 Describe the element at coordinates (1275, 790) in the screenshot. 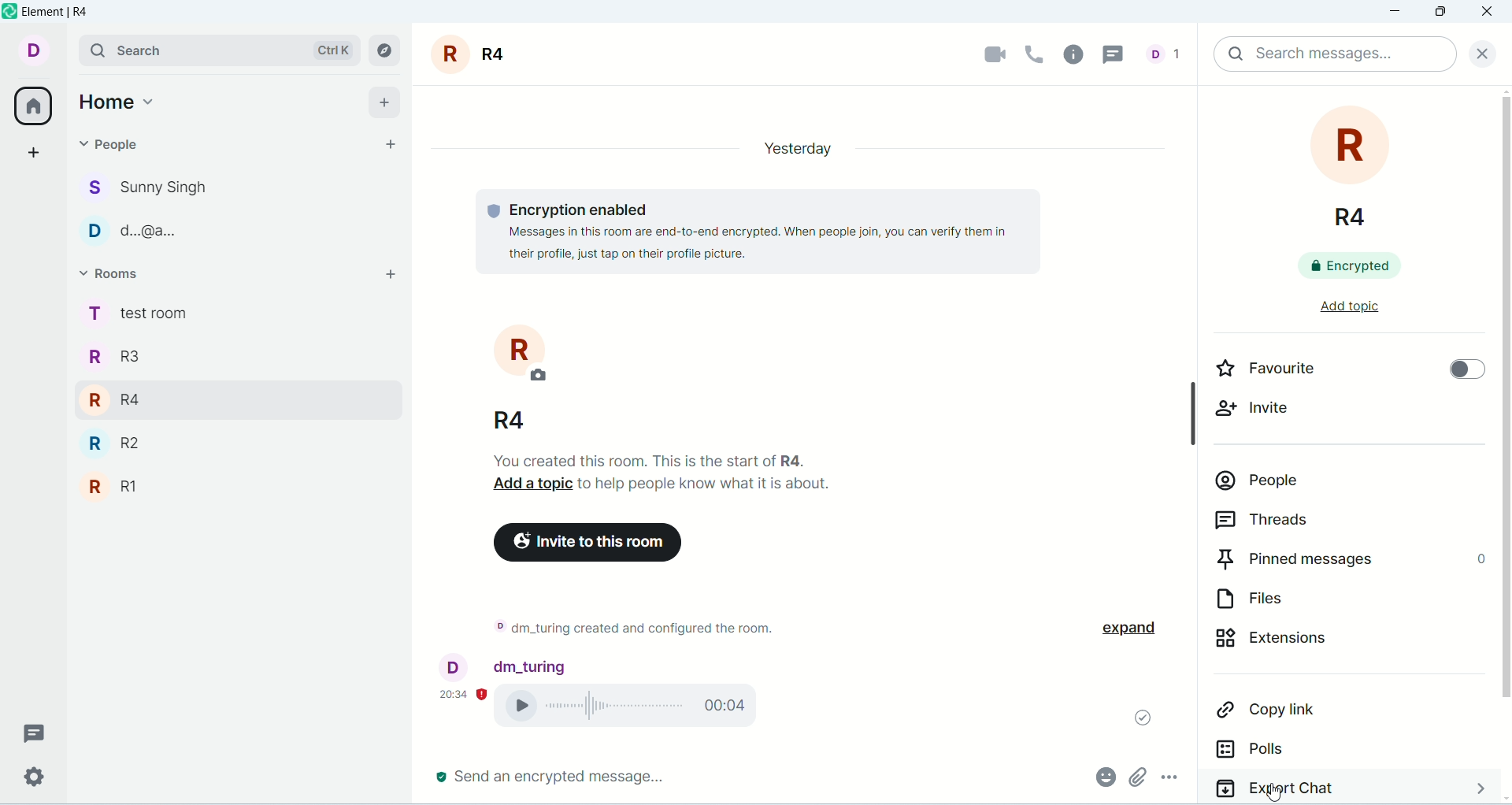

I see `pointer cursor` at that location.